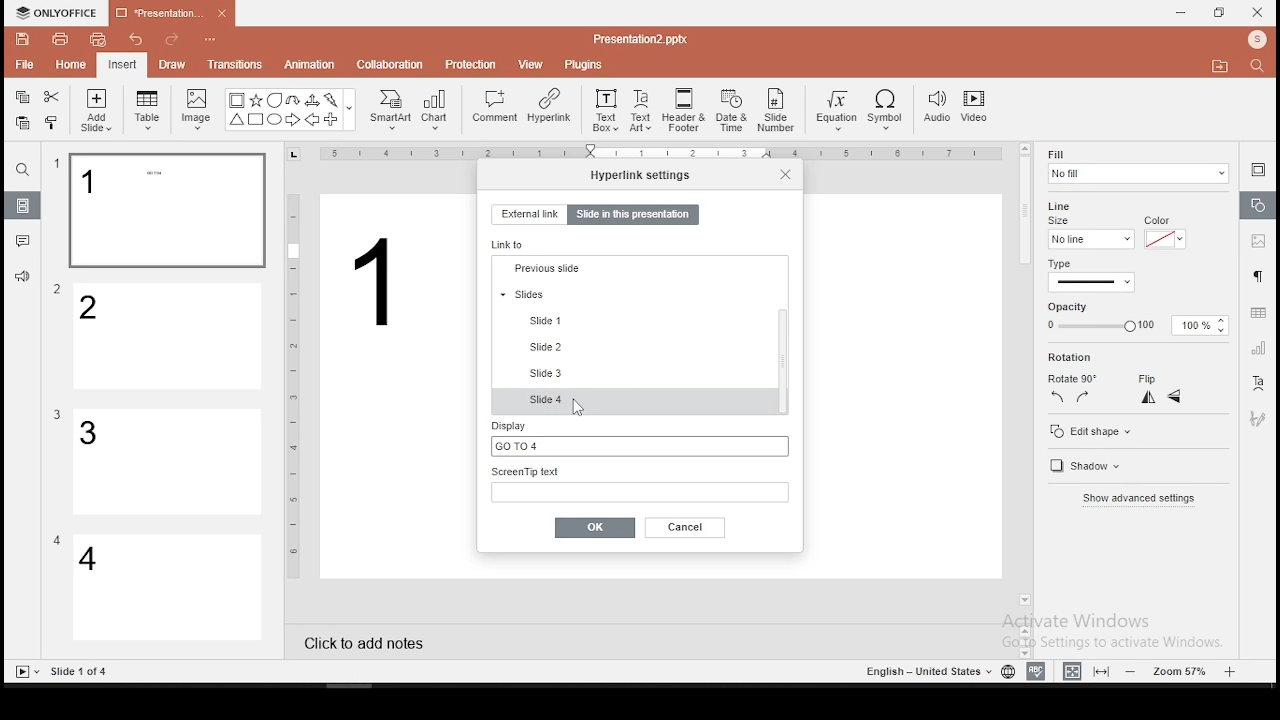 The height and width of the screenshot is (720, 1280). What do you see at coordinates (98, 39) in the screenshot?
I see `quick print` at bounding box center [98, 39].